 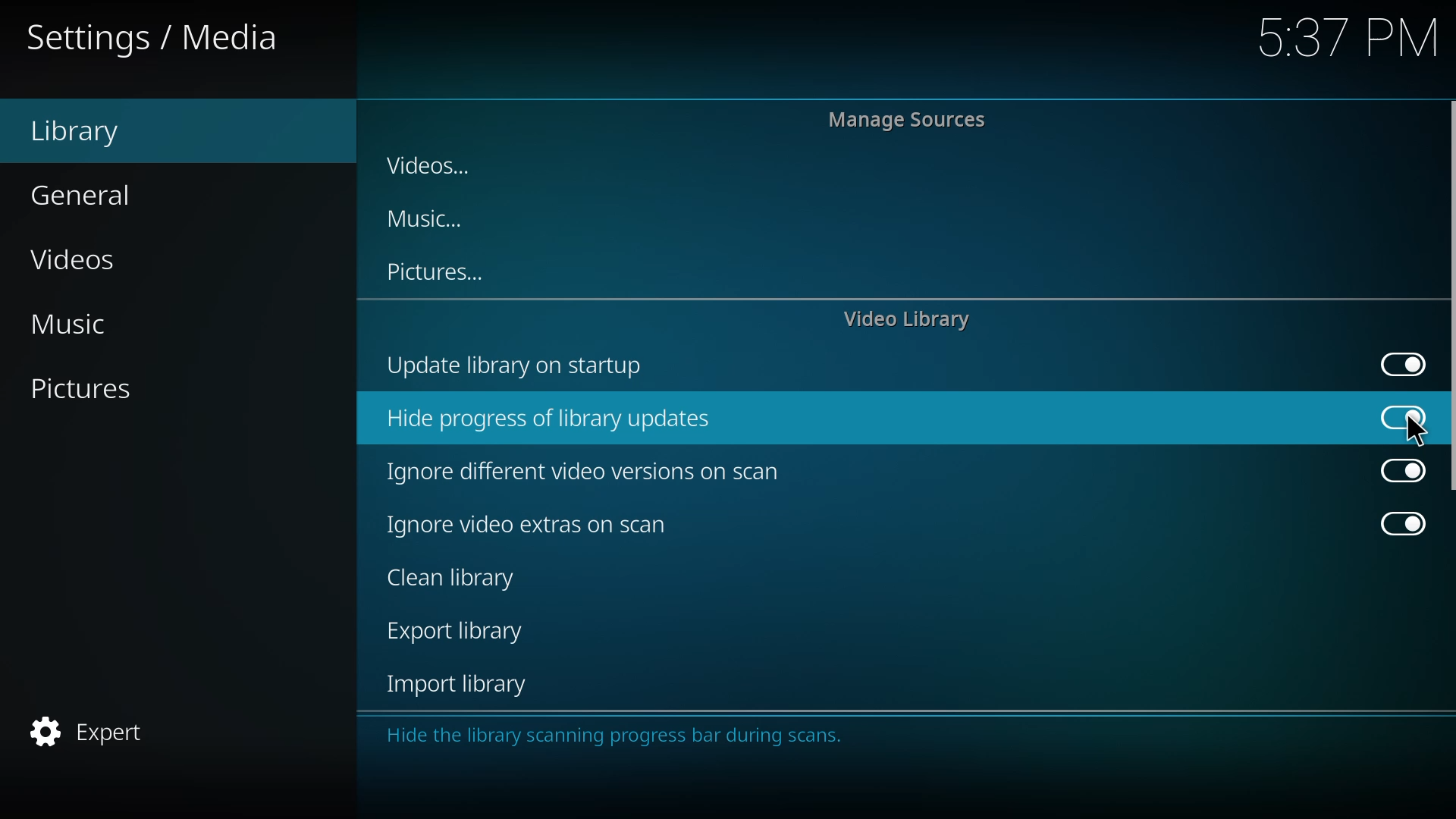 What do you see at coordinates (560, 421) in the screenshot?
I see `hide progress of library updates` at bounding box center [560, 421].